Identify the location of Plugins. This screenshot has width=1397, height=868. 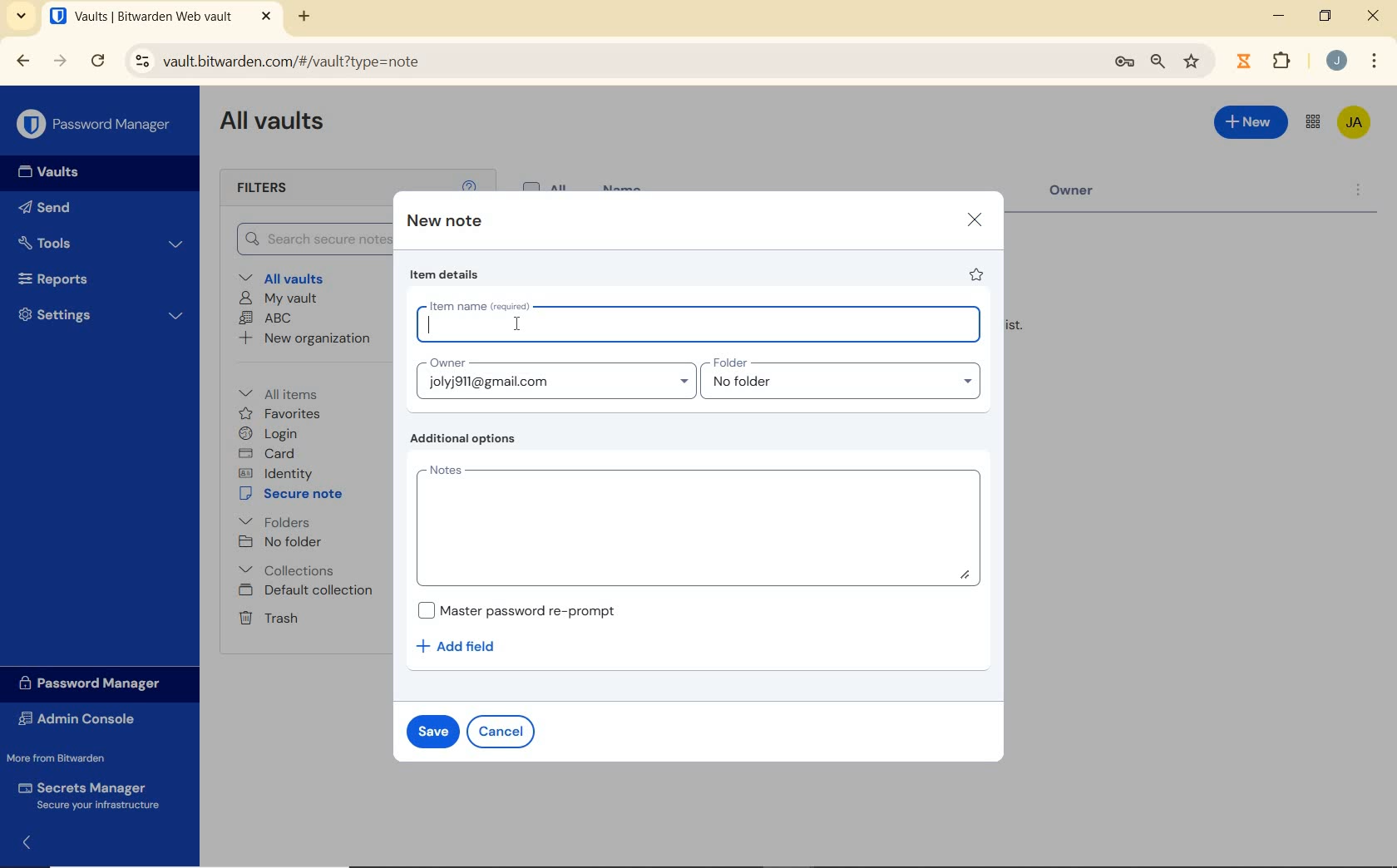
(1285, 59).